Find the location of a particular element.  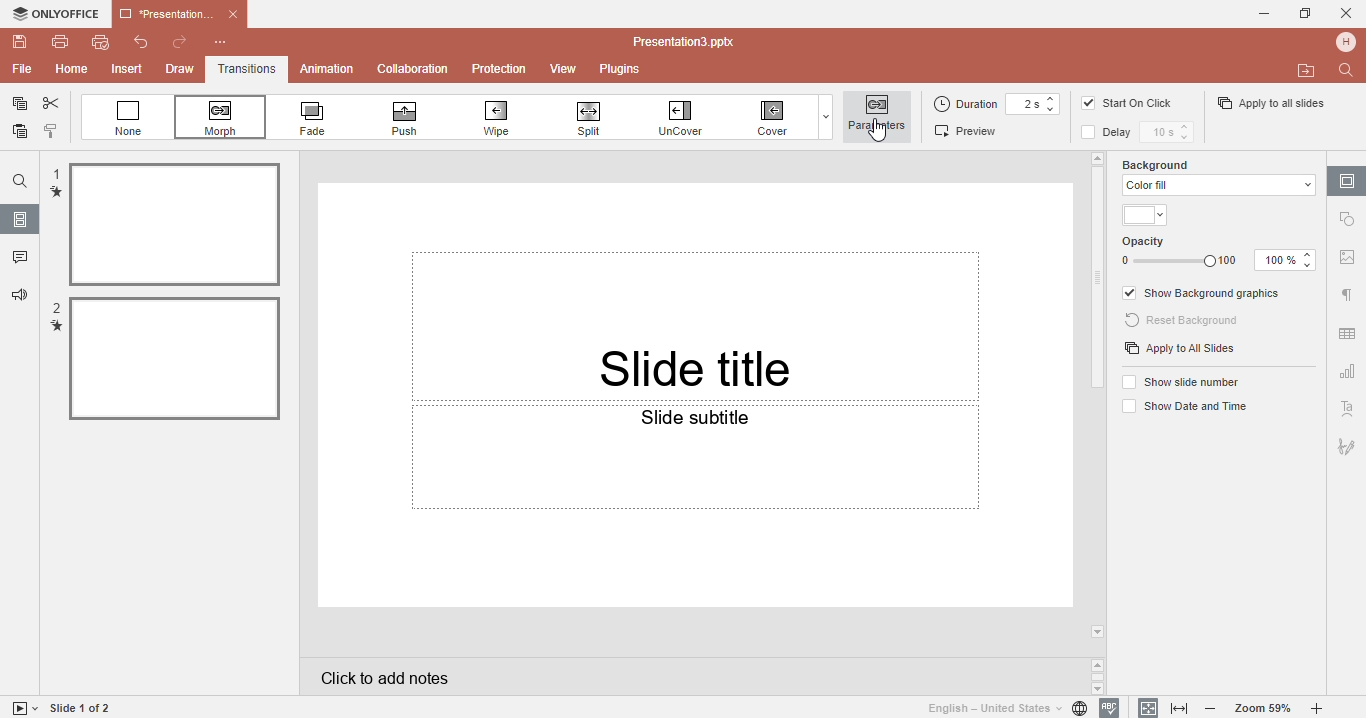

Wipe is located at coordinates (508, 117).